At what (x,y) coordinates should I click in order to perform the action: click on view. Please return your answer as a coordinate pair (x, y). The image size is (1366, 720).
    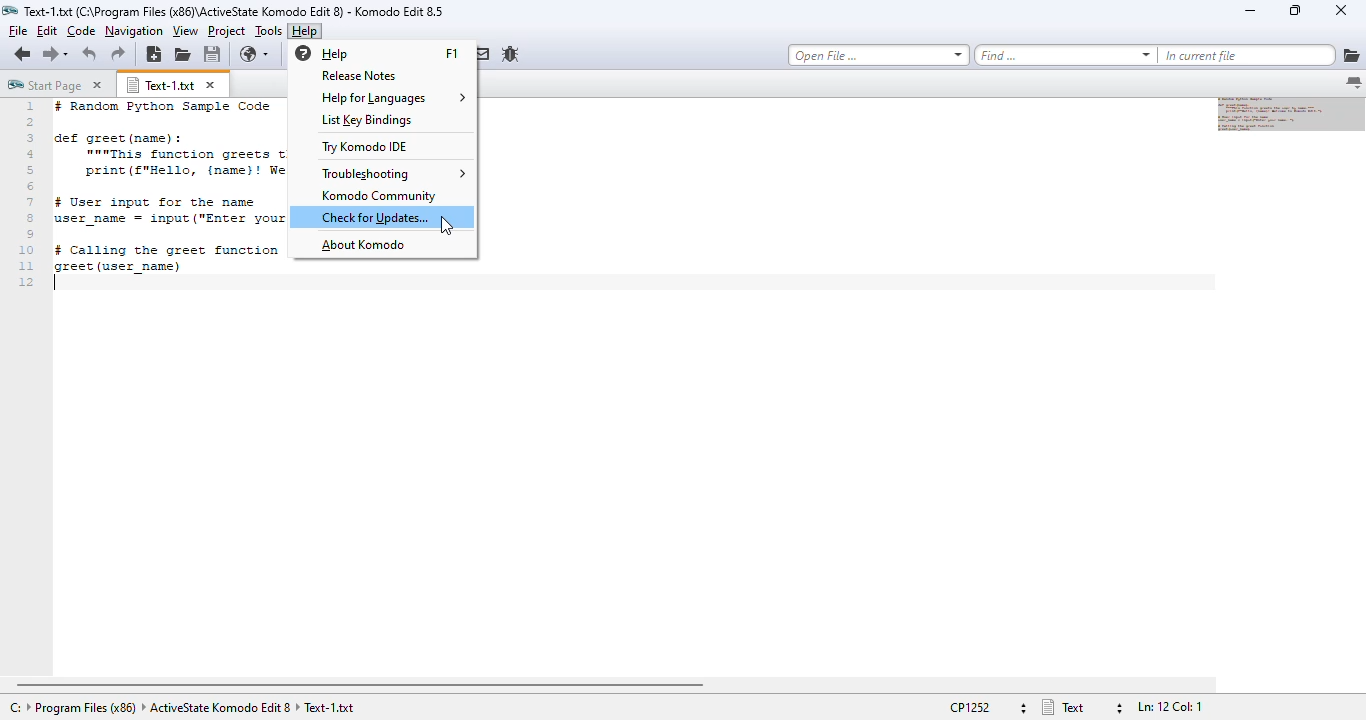
    Looking at the image, I should click on (185, 31).